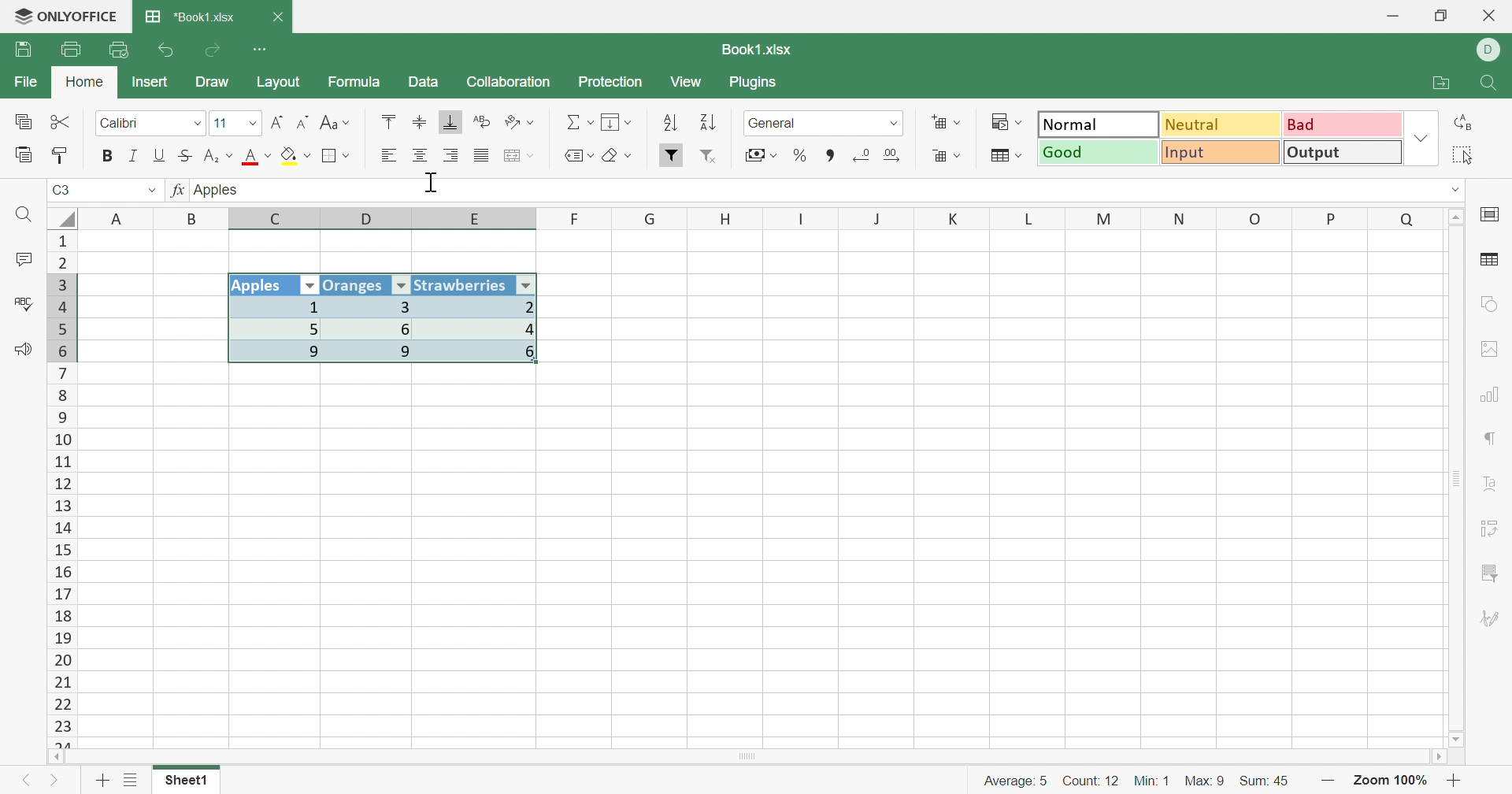 The image size is (1512, 794). What do you see at coordinates (376, 220) in the screenshot?
I see `D` at bounding box center [376, 220].